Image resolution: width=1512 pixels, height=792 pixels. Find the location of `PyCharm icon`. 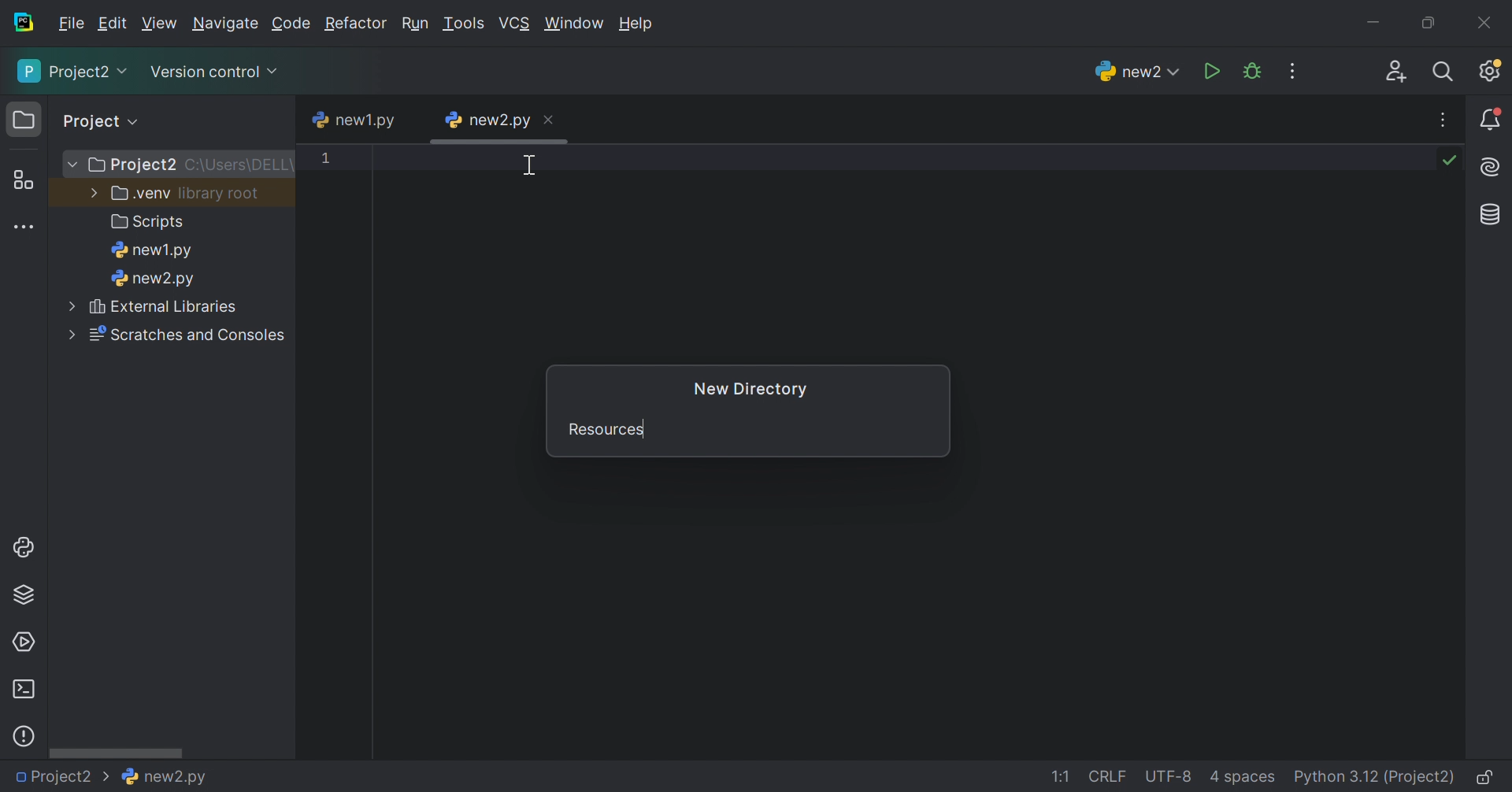

PyCharm icon is located at coordinates (20, 23).